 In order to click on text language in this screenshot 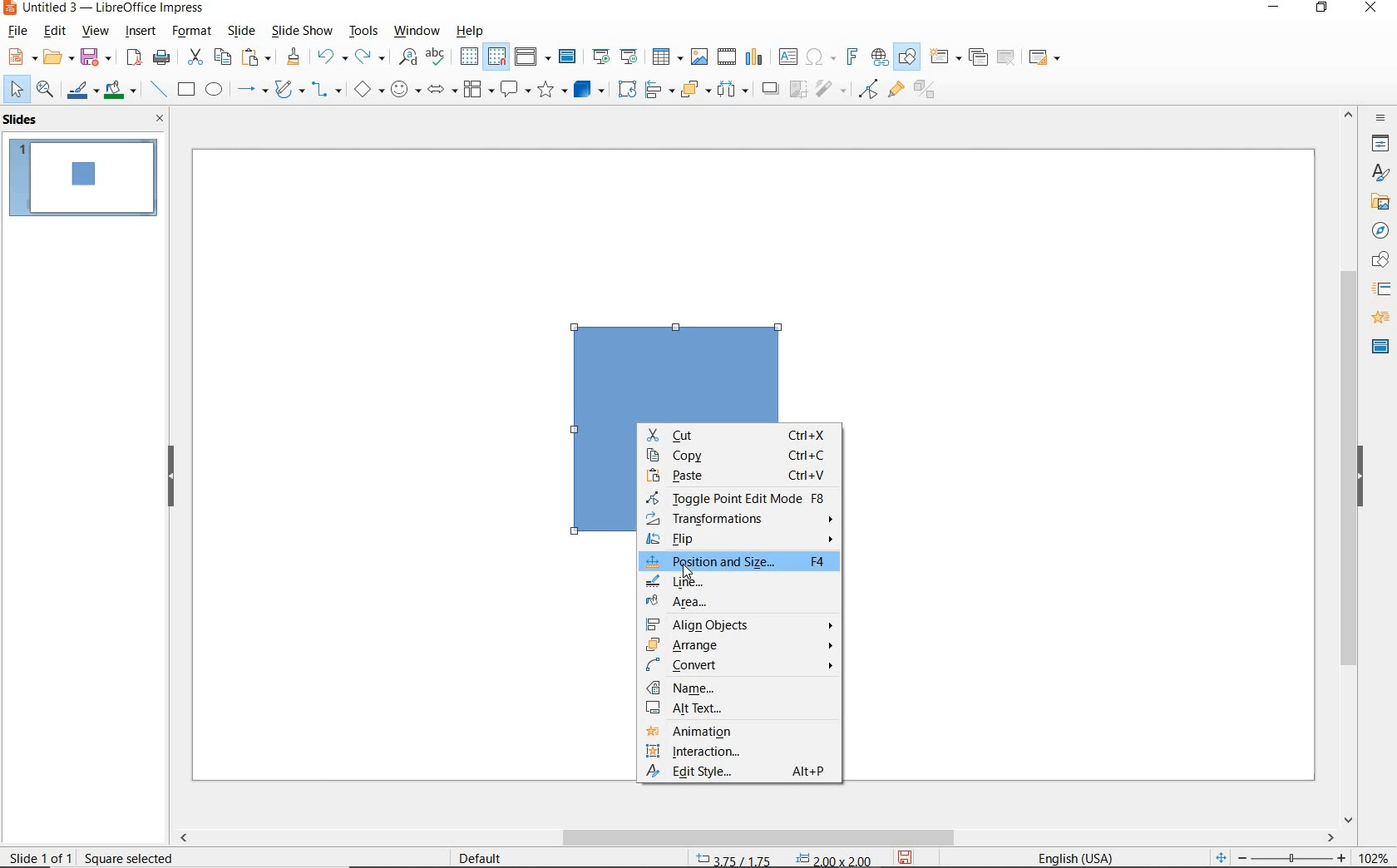, I will do `click(1080, 857)`.